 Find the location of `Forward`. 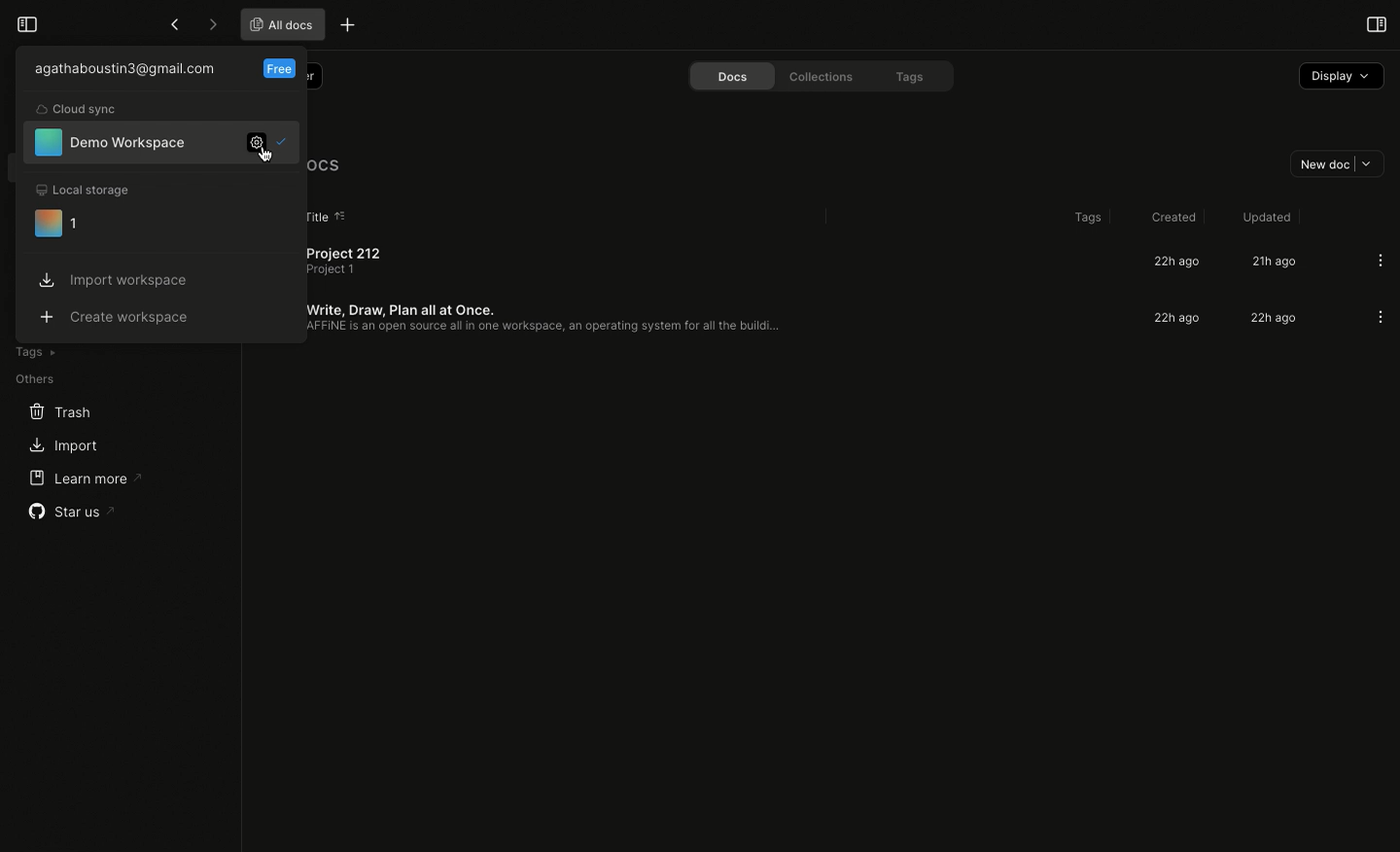

Forward is located at coordinates (212, 25).